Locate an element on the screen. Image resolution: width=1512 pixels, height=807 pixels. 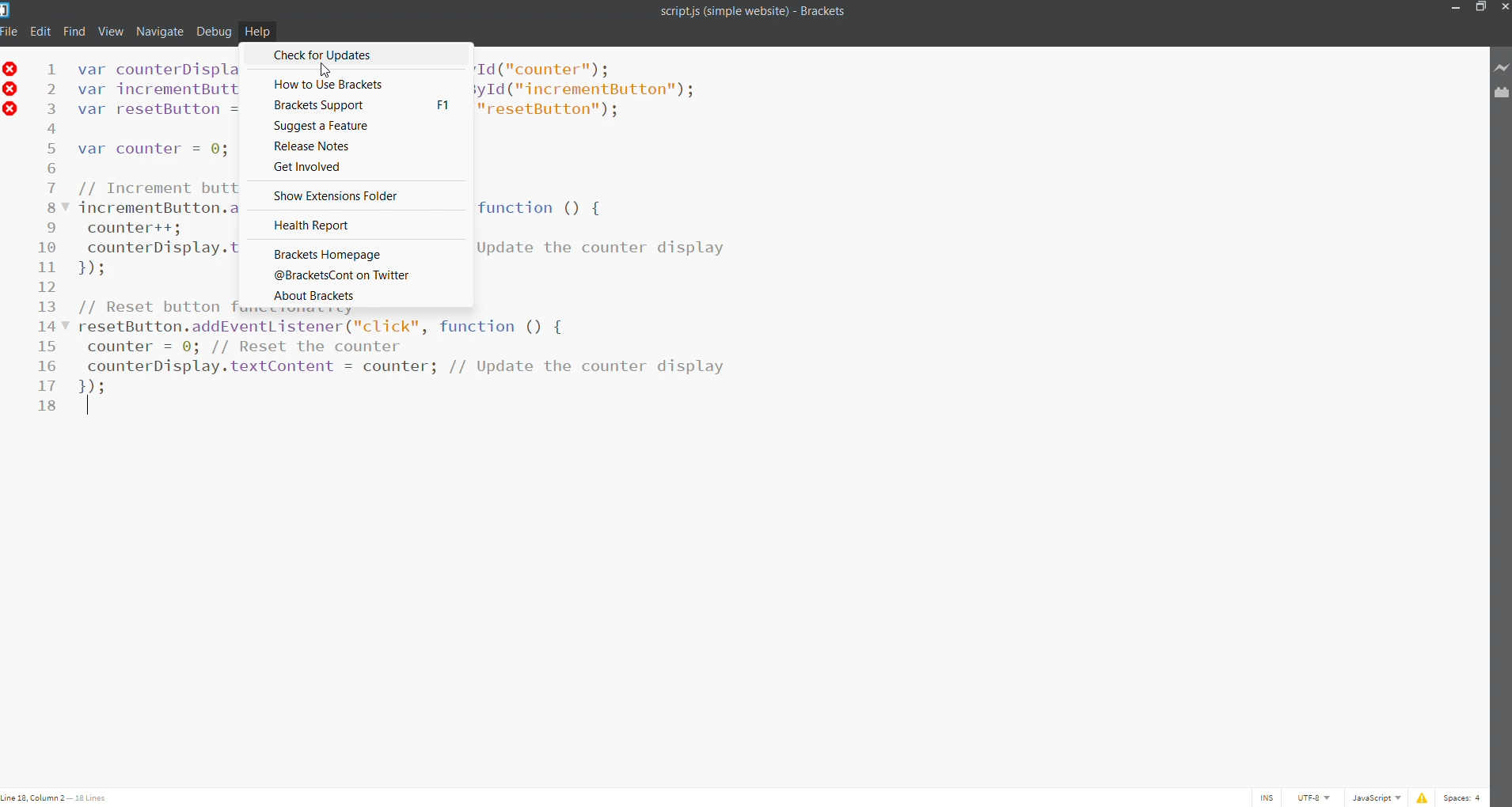
get involved is located at coordinates (355, 166).